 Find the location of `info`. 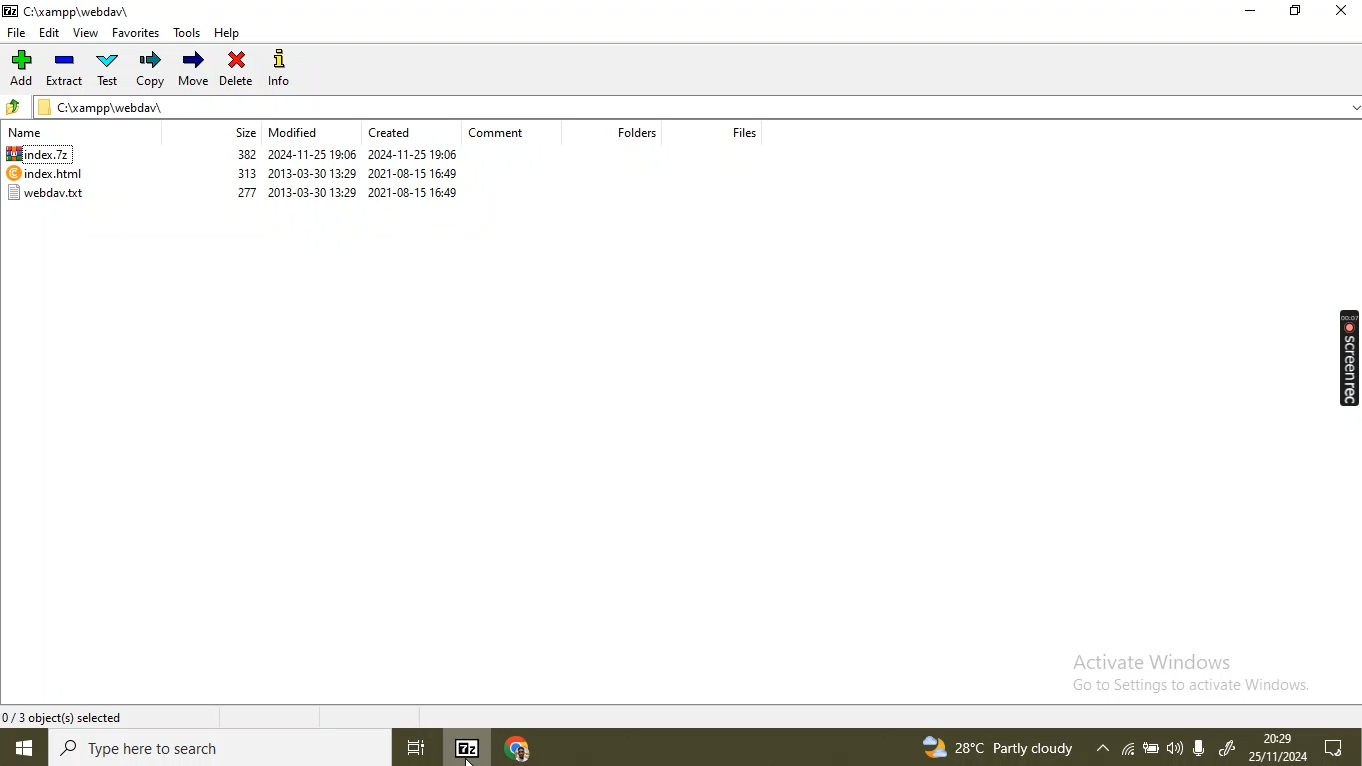

info is located at coordinates (280, 68).